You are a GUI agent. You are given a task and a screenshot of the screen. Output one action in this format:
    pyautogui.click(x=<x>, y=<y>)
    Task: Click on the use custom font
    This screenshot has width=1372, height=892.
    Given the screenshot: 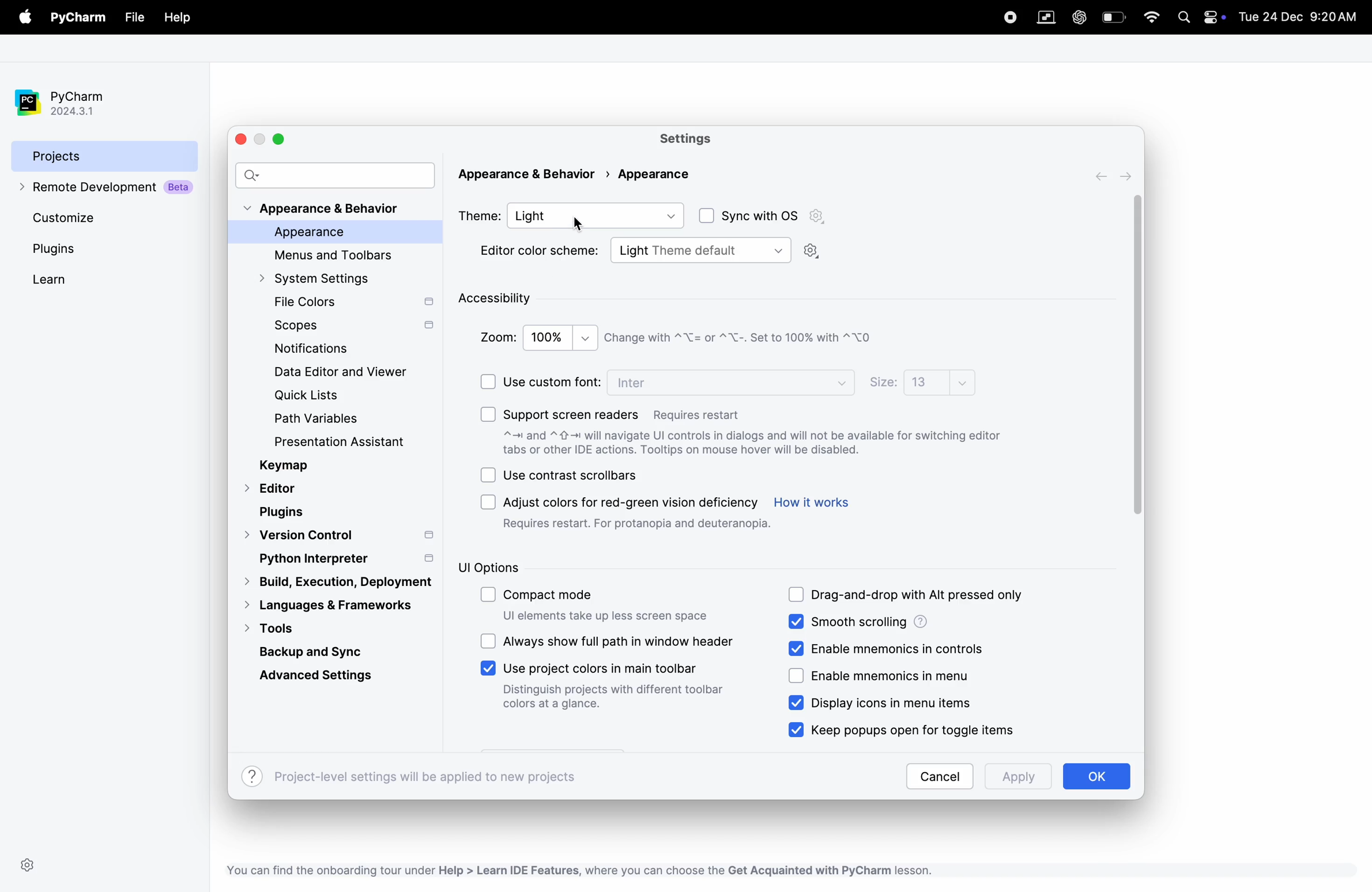 What is the action you would take?
    pyautogui.click(x=552, y=381)
    